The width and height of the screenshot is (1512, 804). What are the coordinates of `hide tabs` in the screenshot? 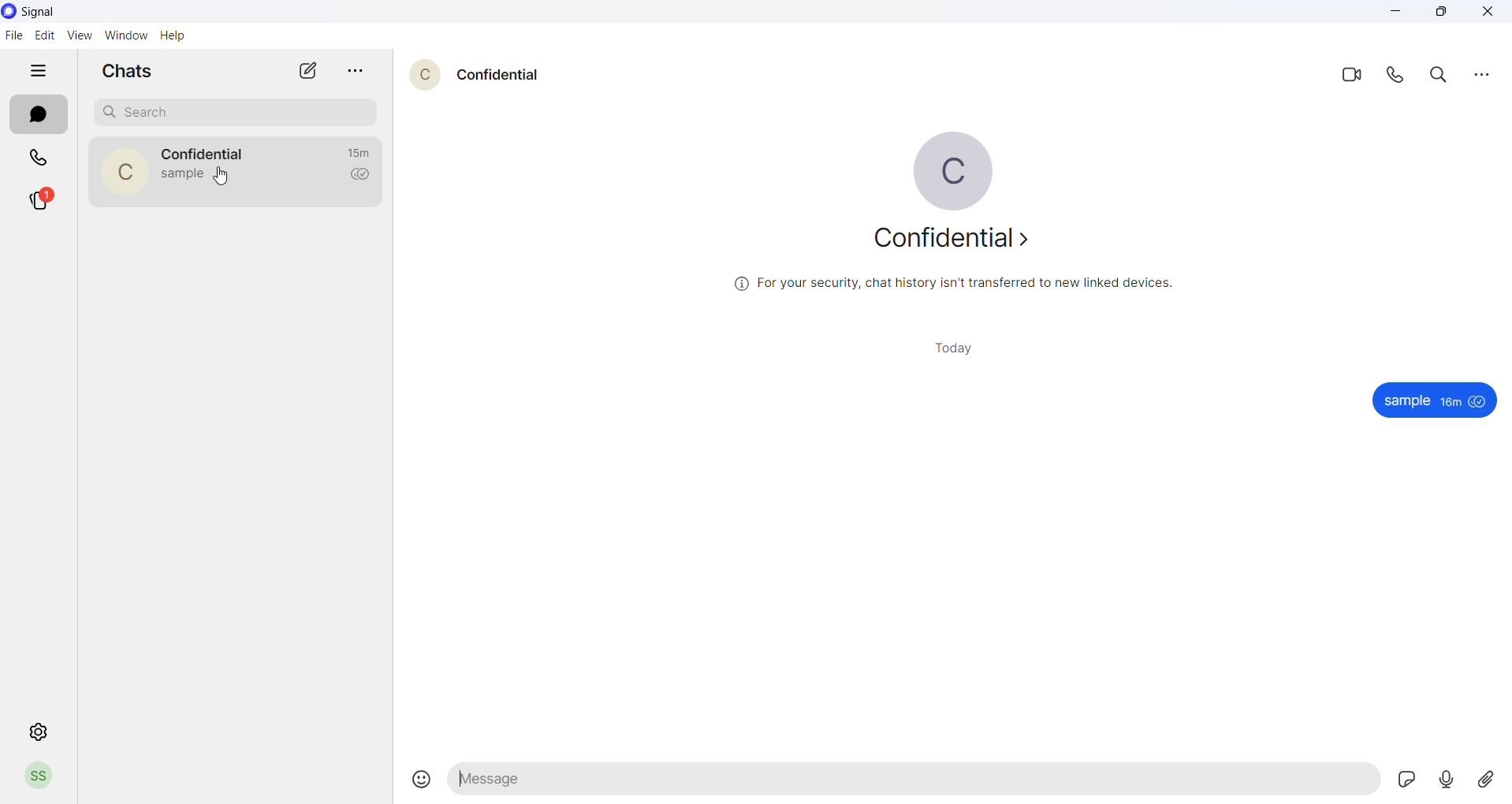 It's located at (40, 72).